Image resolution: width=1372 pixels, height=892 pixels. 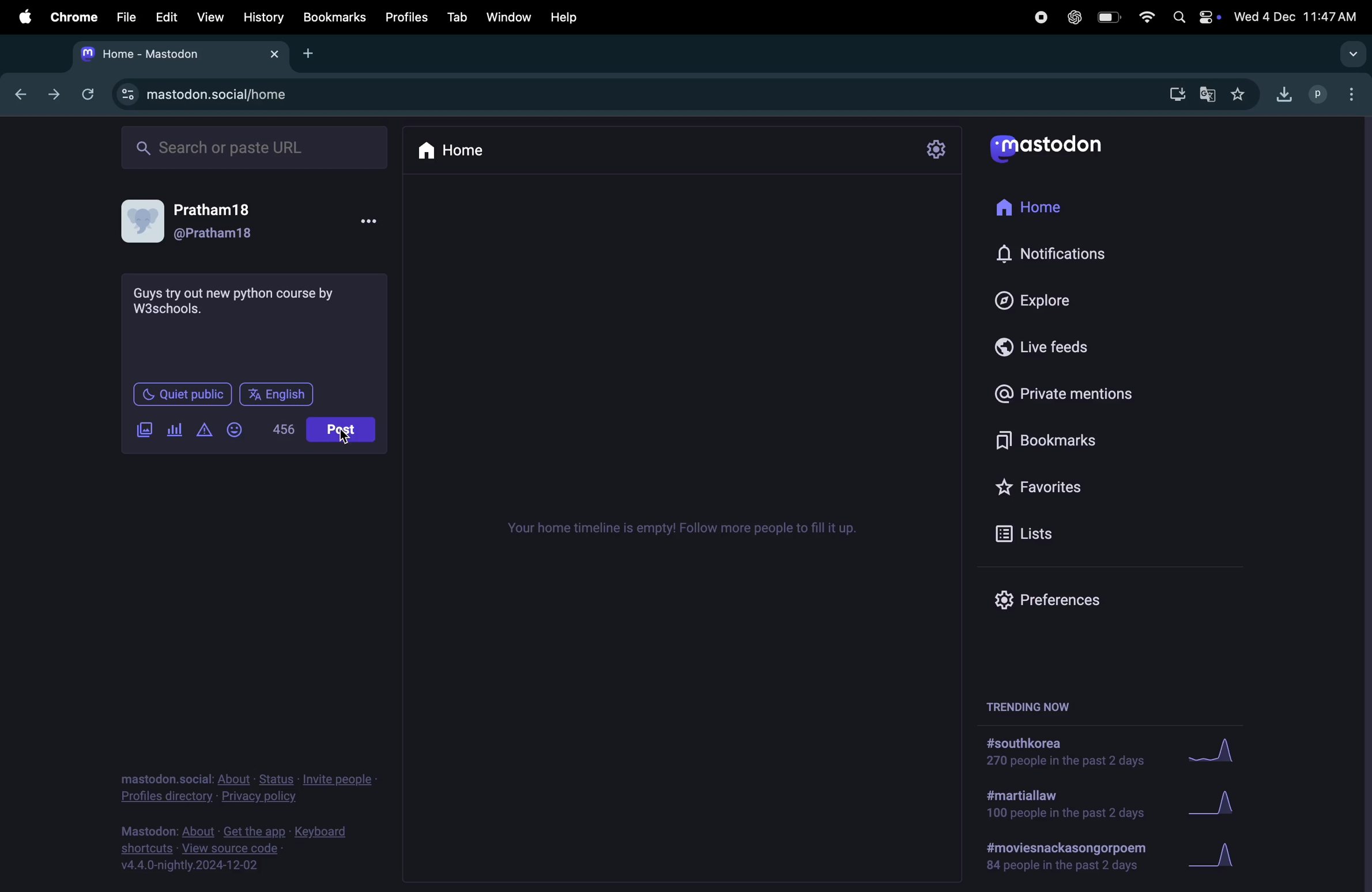 What do you see at coordinates (191, 221) in the screenshot?
I see `user profile` at bounding box center [191, 221].